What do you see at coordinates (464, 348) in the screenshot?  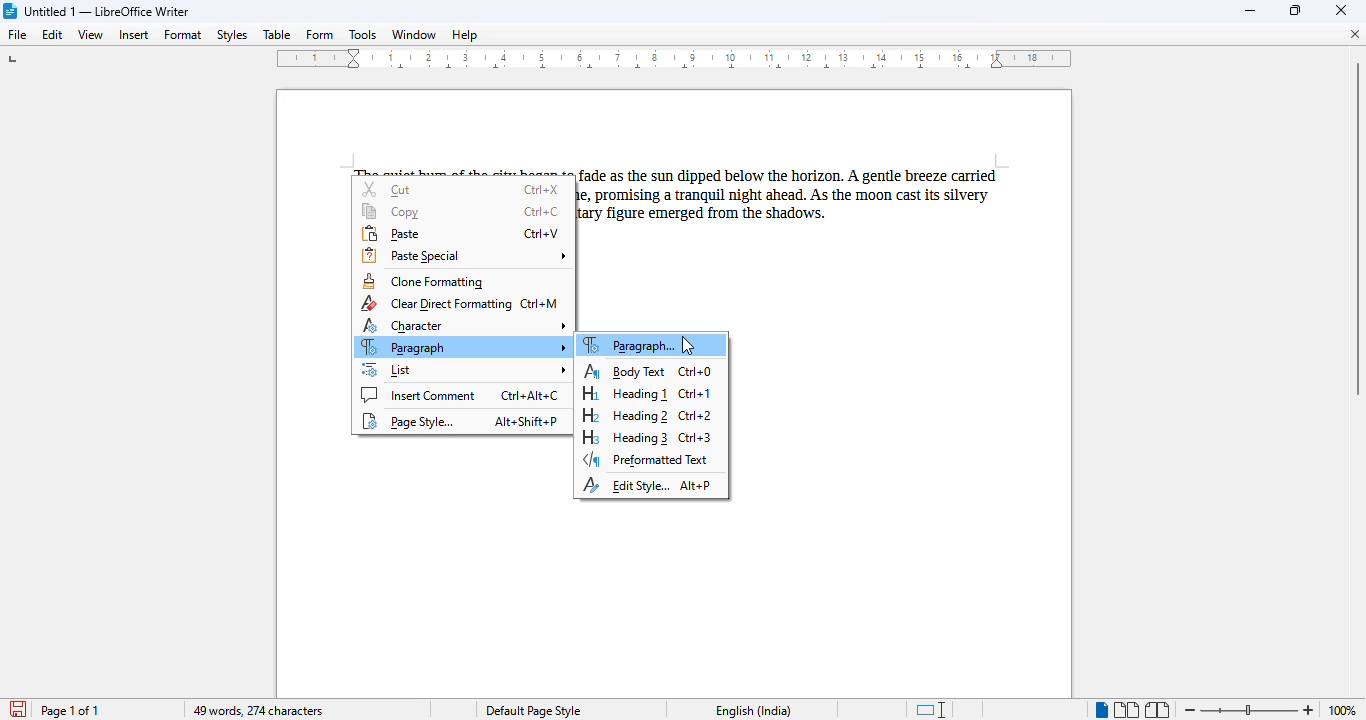 I see `paragraph` at bounding box center [464, 348].